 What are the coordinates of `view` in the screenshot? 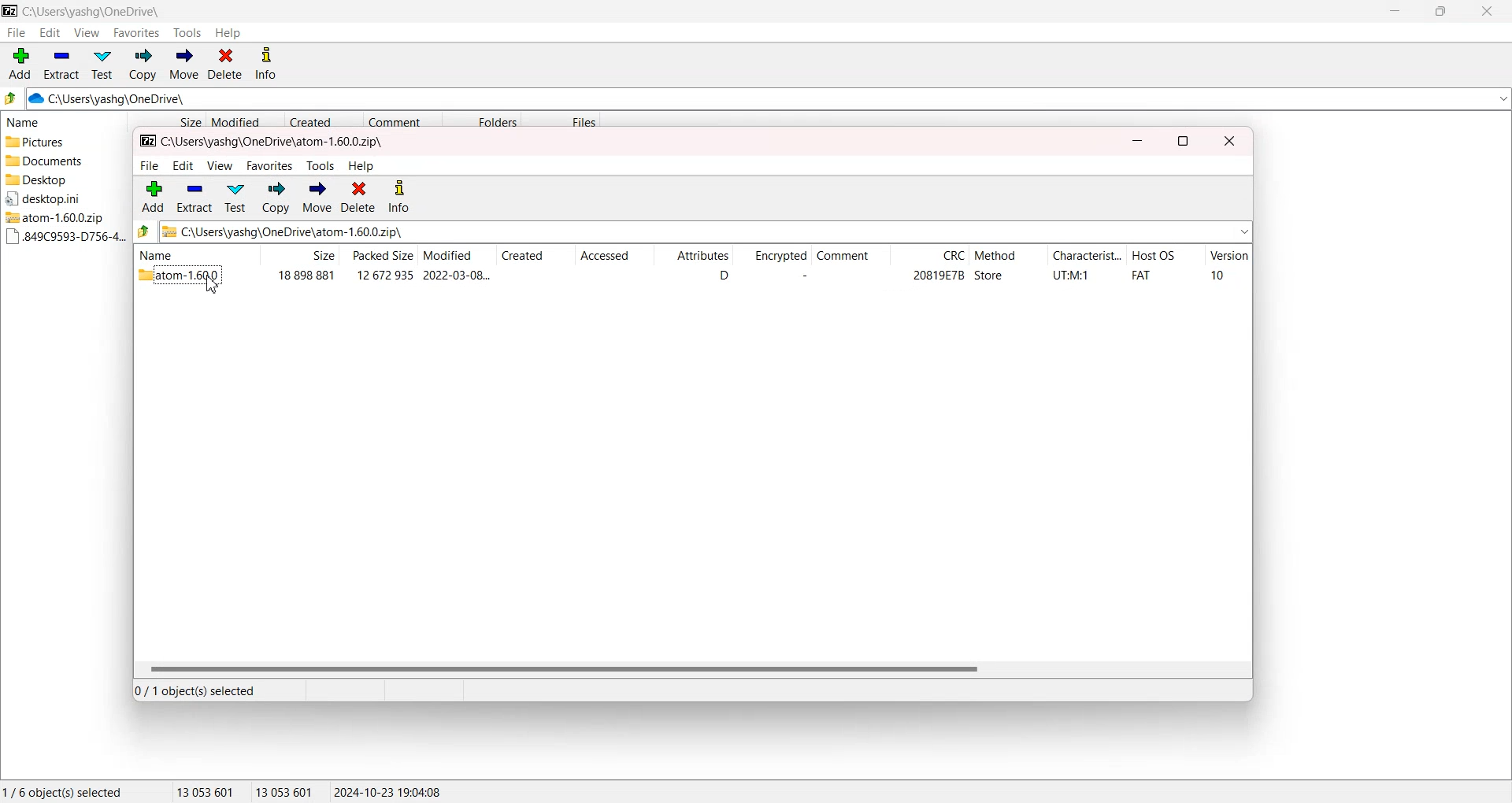 It's located at (220, 166).